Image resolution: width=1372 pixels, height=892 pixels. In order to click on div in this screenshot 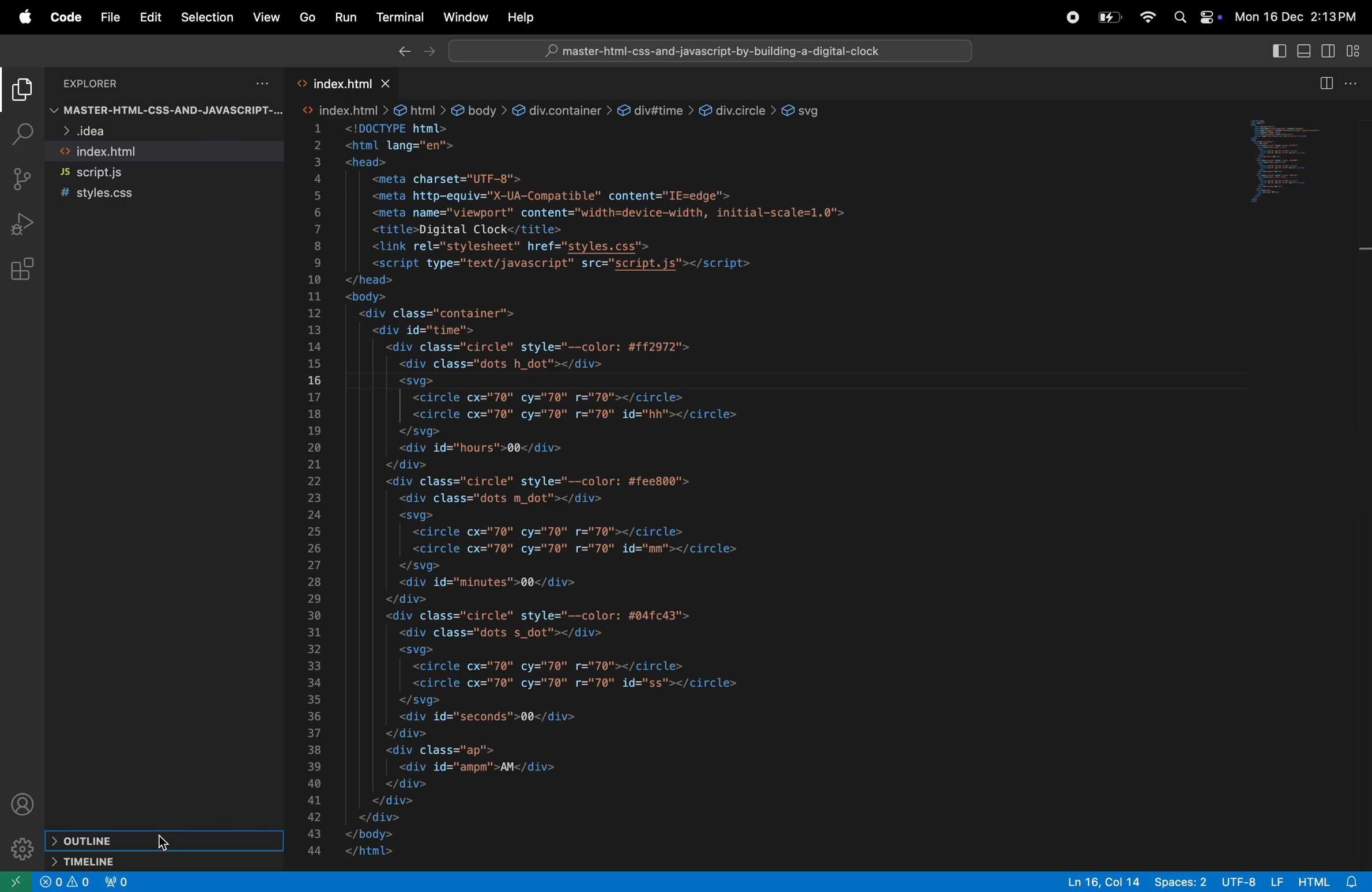, I will do `click(655, 111)`.